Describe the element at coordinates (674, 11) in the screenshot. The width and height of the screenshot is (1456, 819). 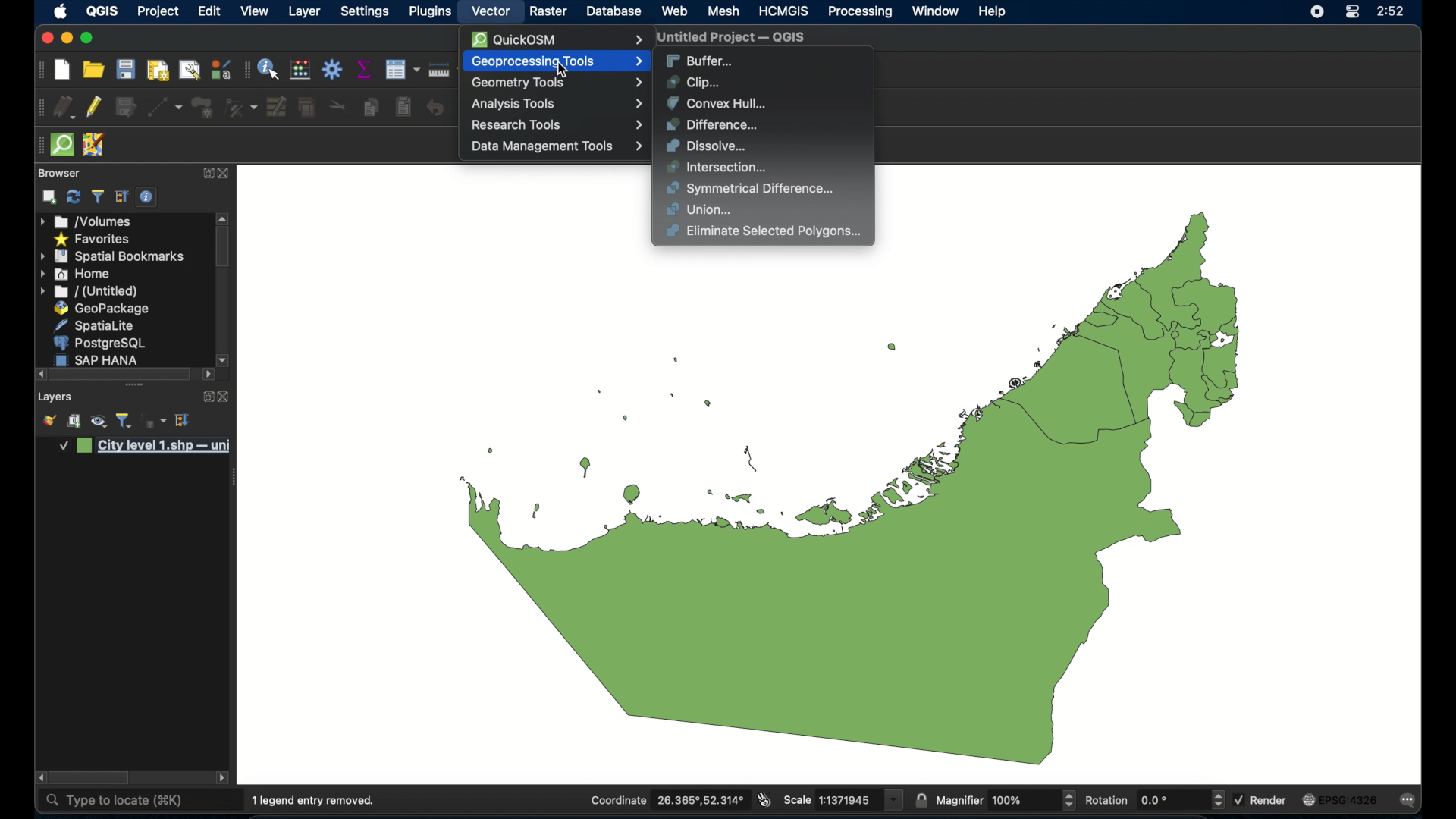
I see `web` at that location.